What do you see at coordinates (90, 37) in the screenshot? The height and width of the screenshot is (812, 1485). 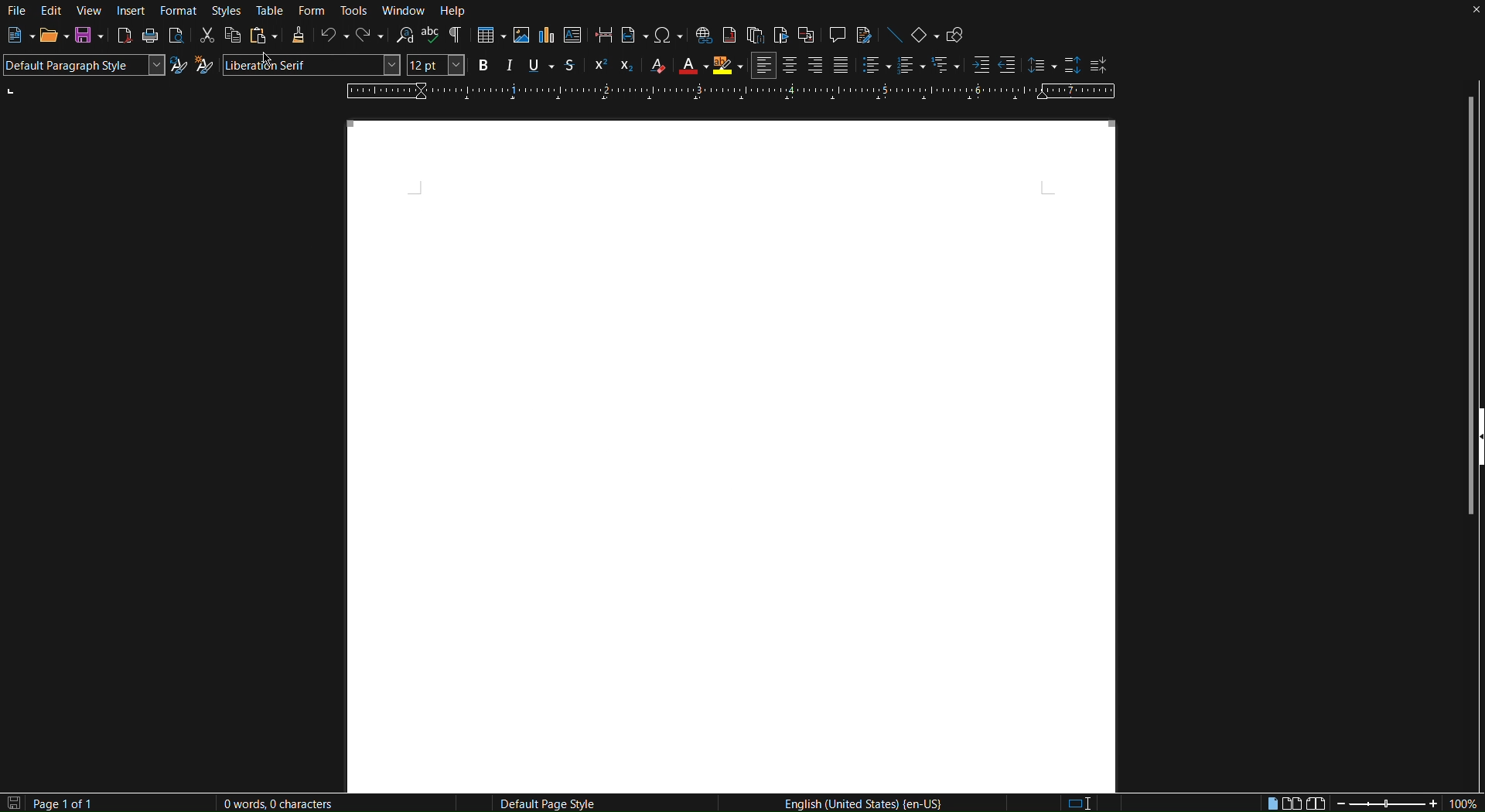 I see `Save` at bounding box center [90, 37].